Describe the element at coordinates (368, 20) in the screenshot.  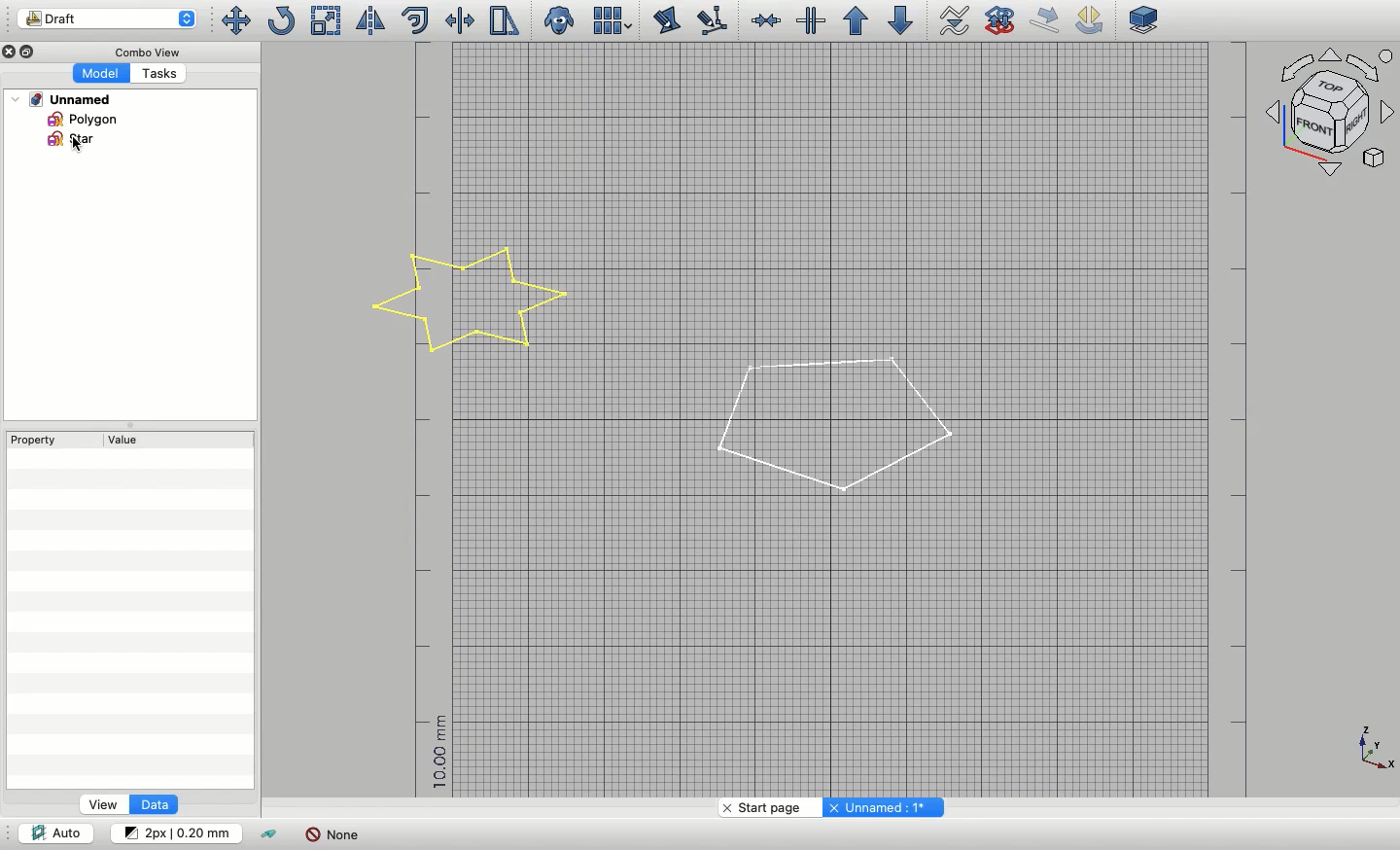
I see `Mirror` at that location.